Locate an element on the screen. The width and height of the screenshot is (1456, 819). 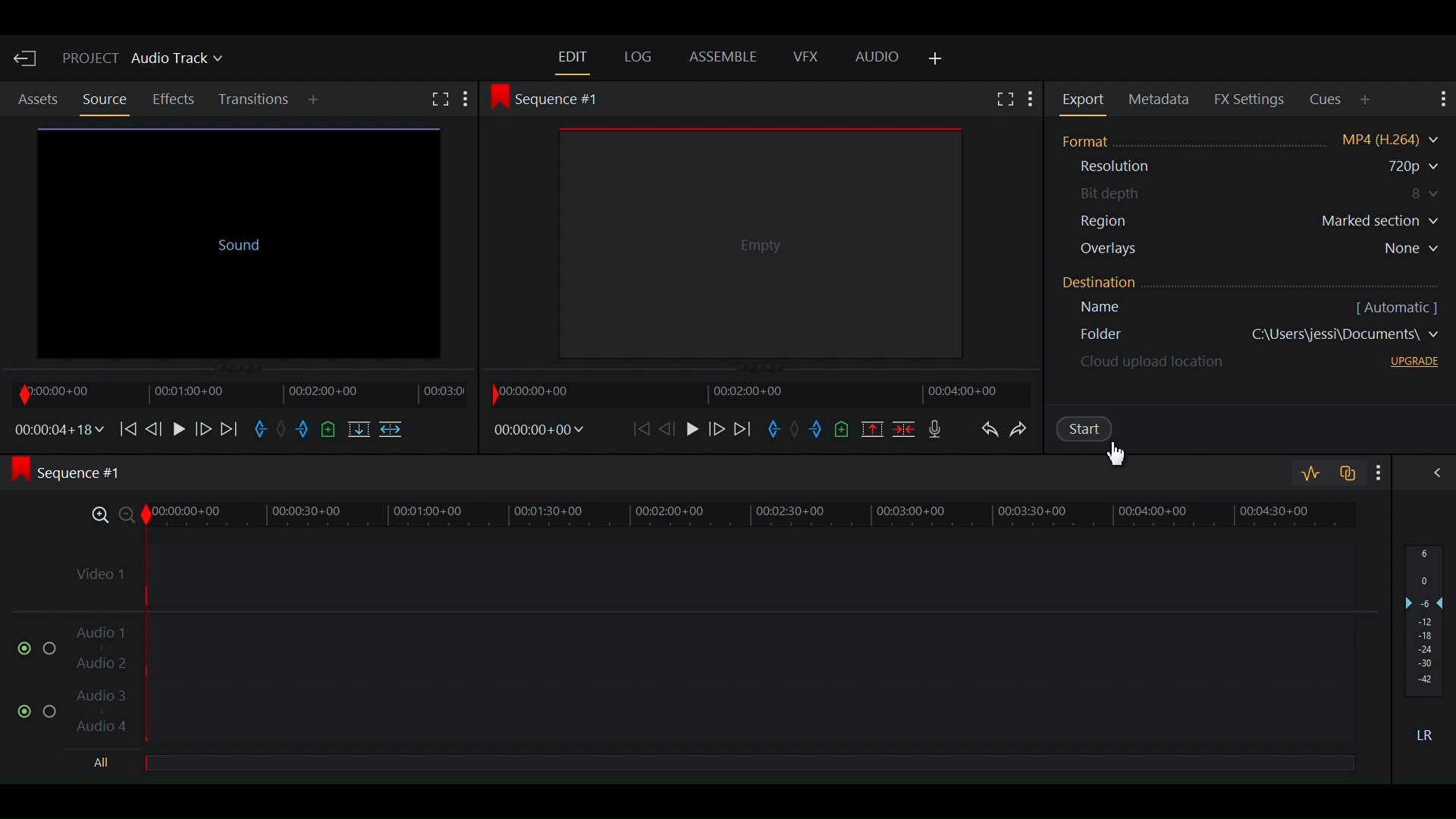
720p is located at coordinates (1395, 167).